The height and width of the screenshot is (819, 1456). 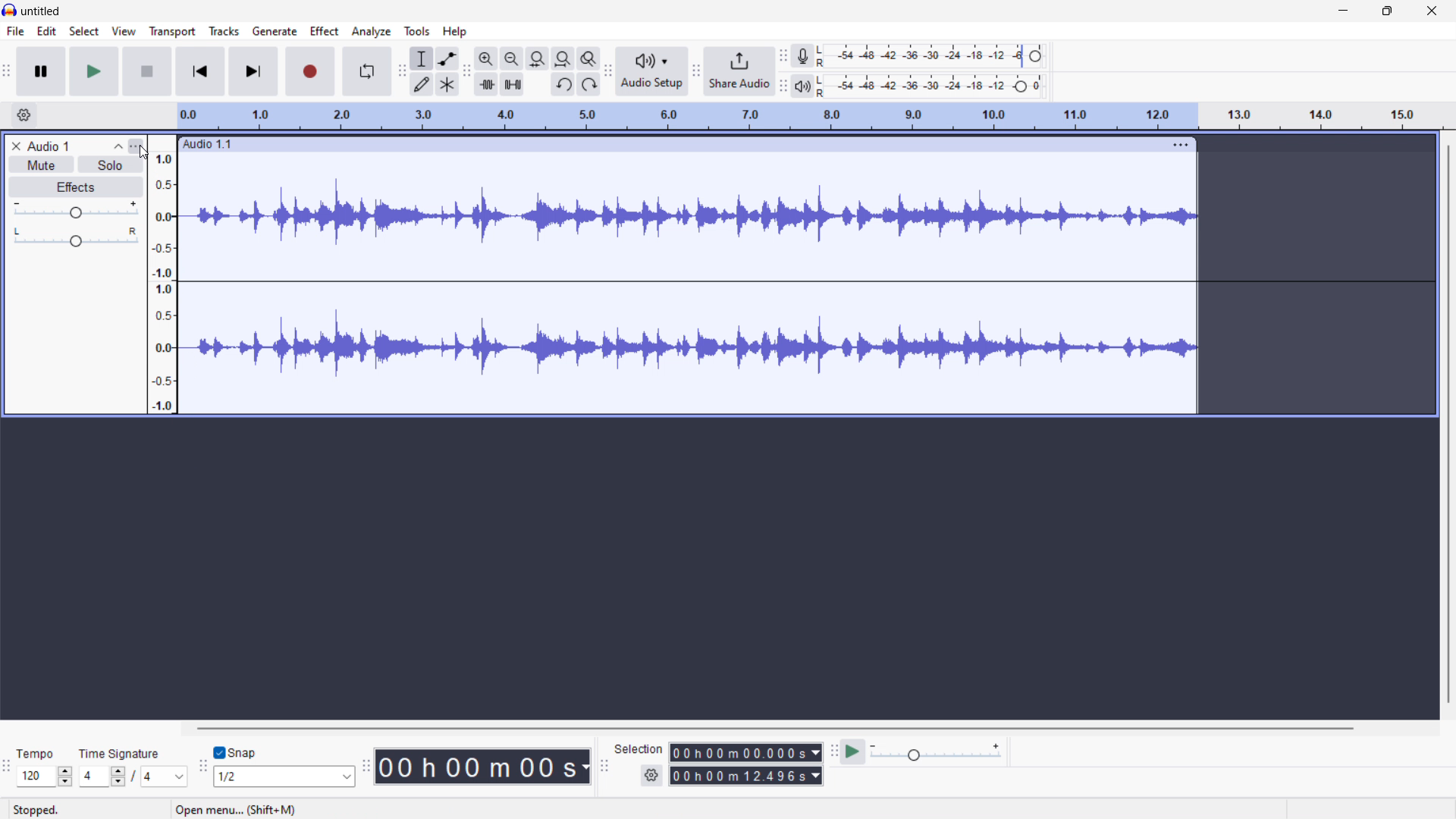 What do you see at coordinates (76, 187) in the screenshot?
I see `effects` at bounding box center [76, 187].